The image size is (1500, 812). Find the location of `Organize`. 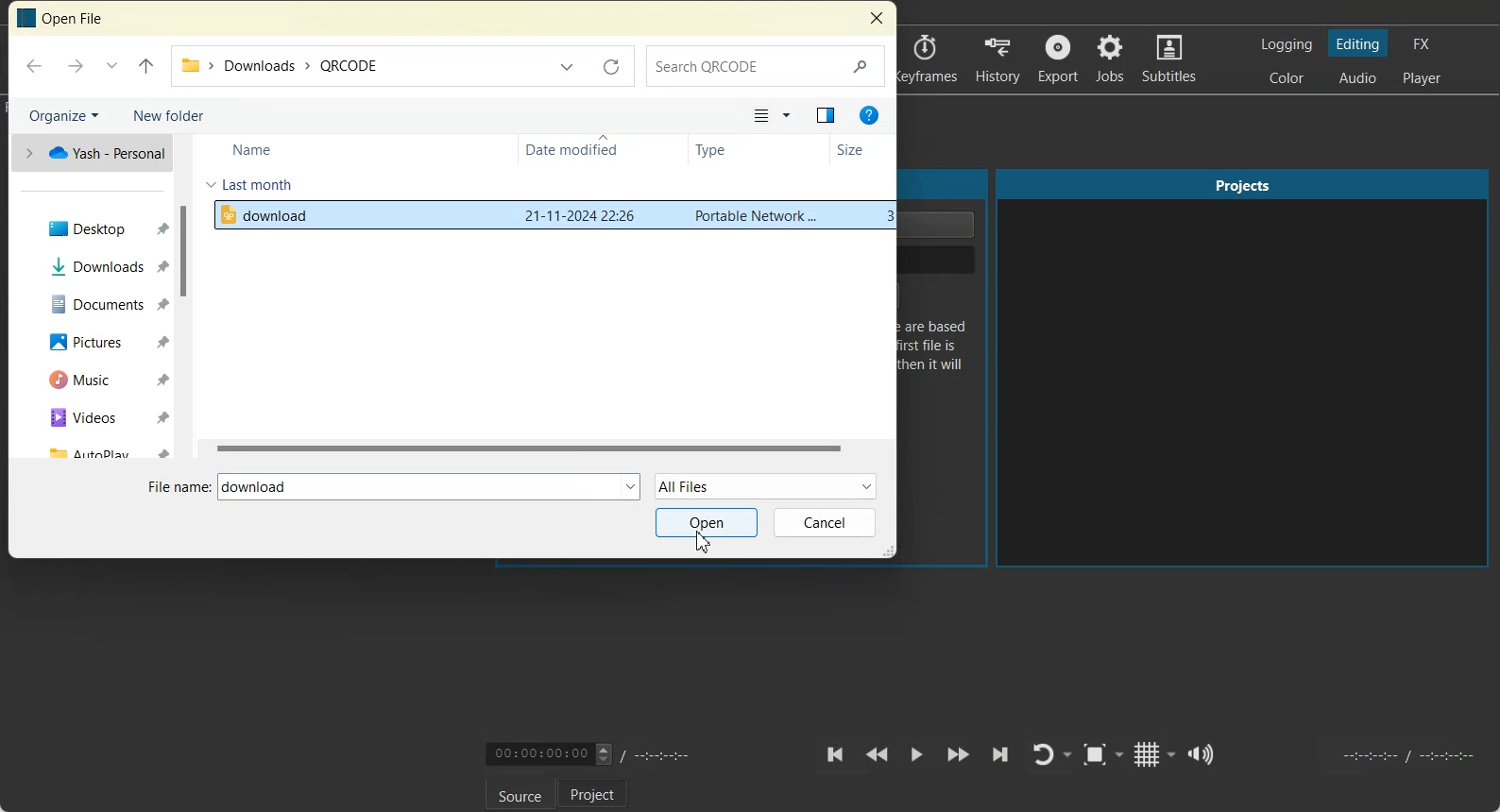

Organize is located at coordinates (62, 113).